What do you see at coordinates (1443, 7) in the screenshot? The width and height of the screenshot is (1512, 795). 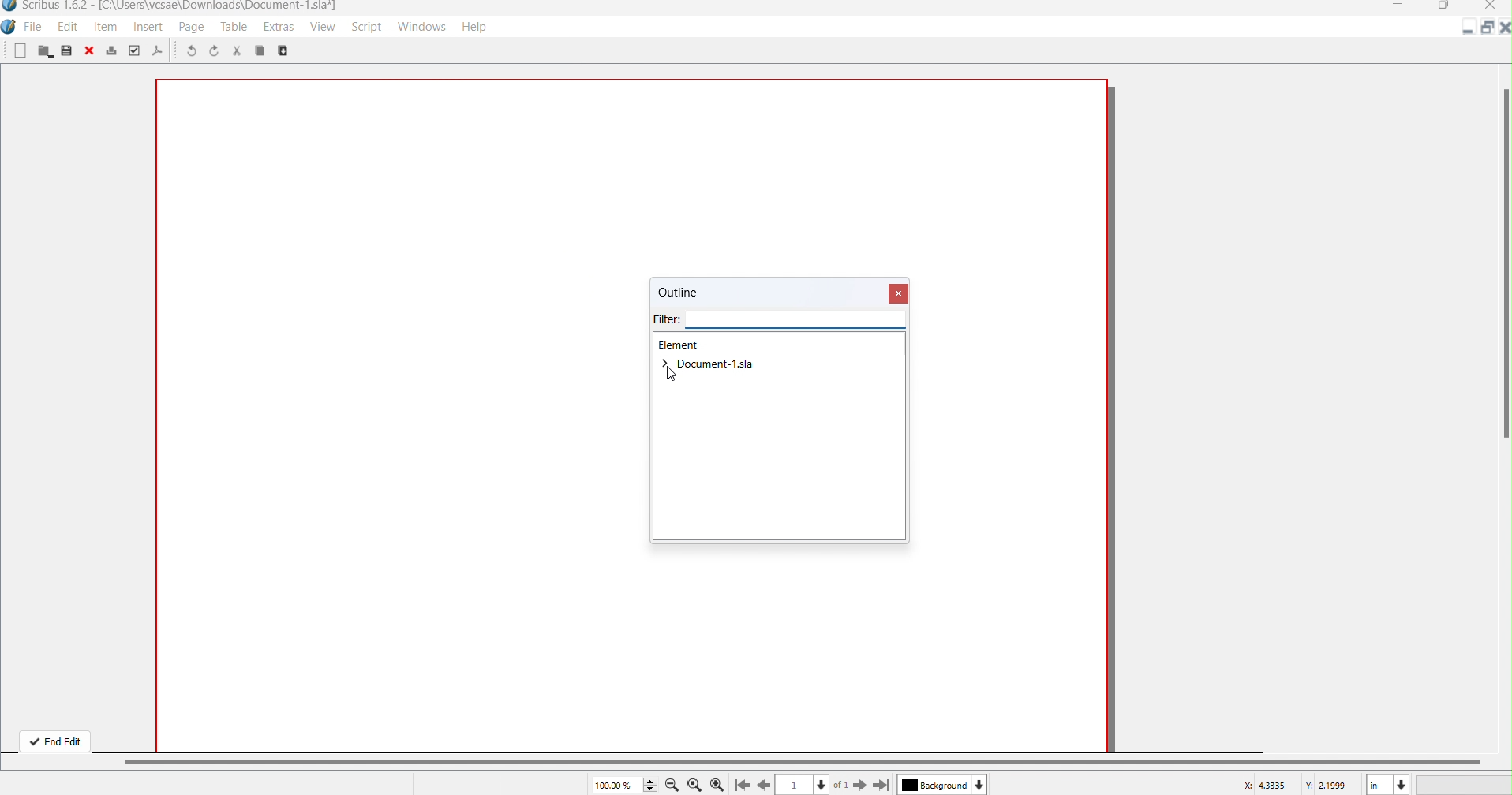 I see `Box` at bounding box center [1443, 7].